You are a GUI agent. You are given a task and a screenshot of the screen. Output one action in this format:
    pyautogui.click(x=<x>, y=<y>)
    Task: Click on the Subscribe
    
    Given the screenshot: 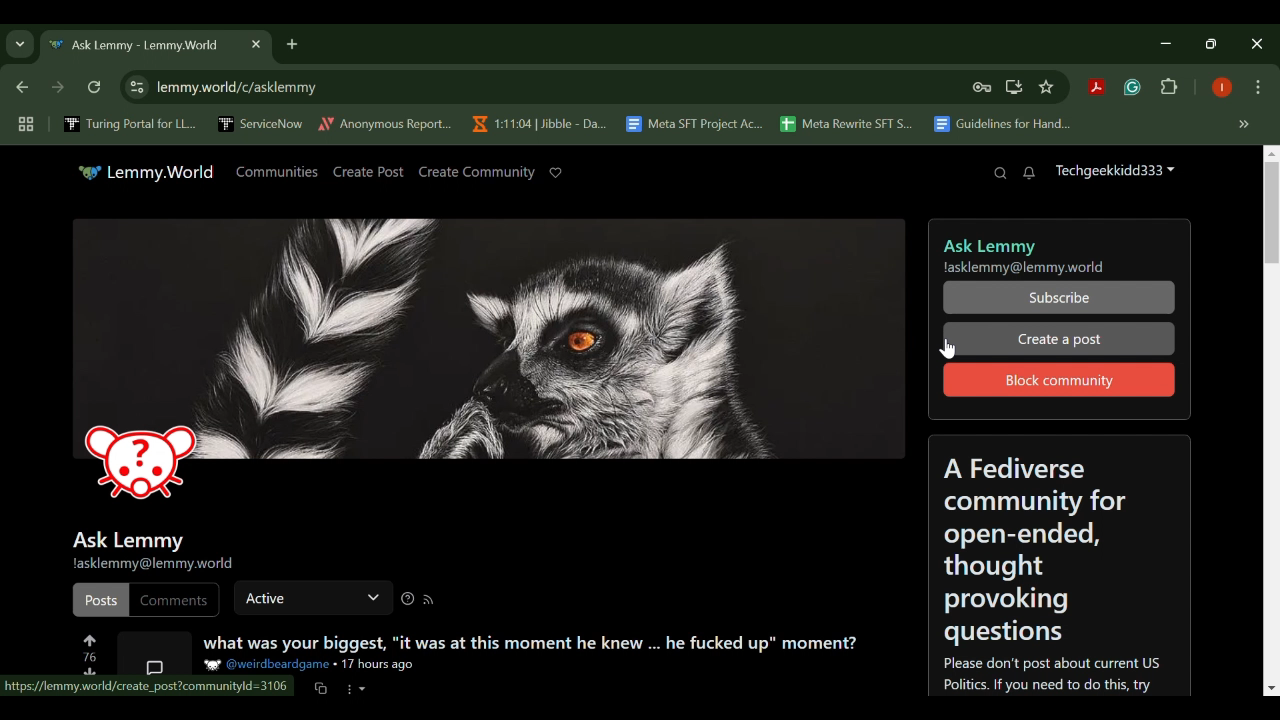 What is the action you would take?
    pyautogui.click(x=1059, y=299)
    